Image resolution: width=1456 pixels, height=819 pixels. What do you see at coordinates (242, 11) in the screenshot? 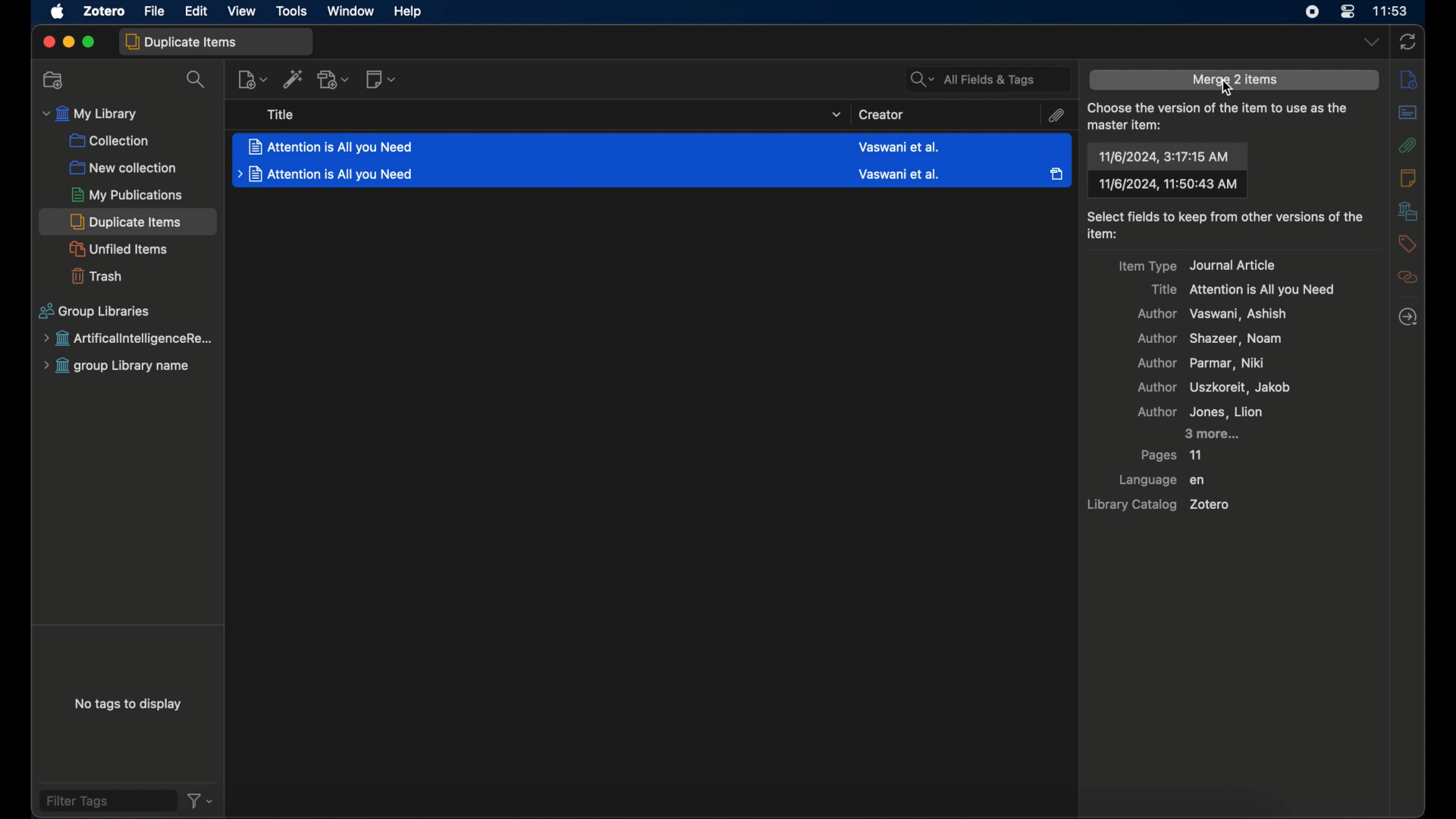
I see `view` at bounding box center [242, 11].